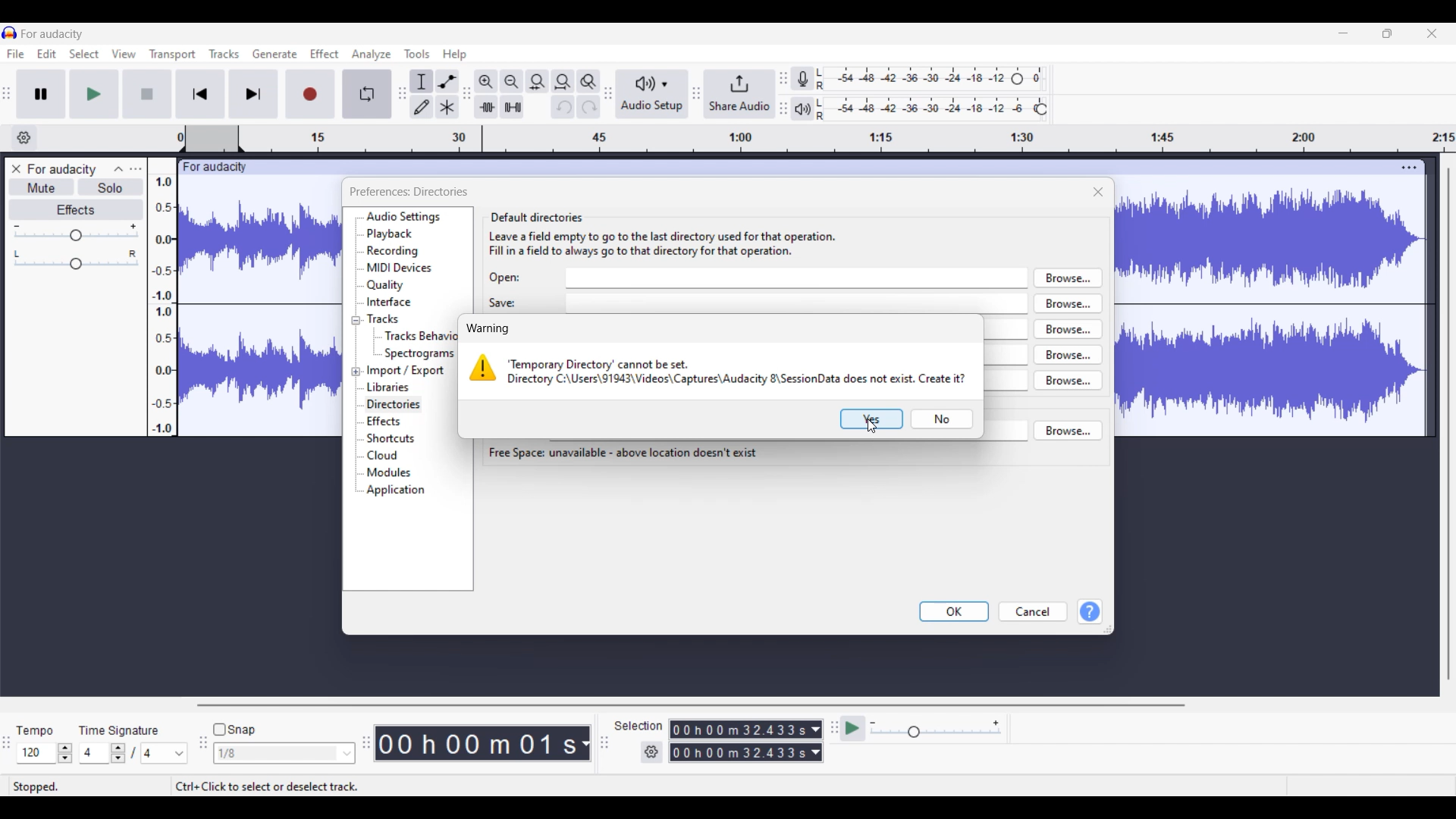  Describe the element at coordinates (585, 744) in the screenshot. I see `Measurement` at that location.